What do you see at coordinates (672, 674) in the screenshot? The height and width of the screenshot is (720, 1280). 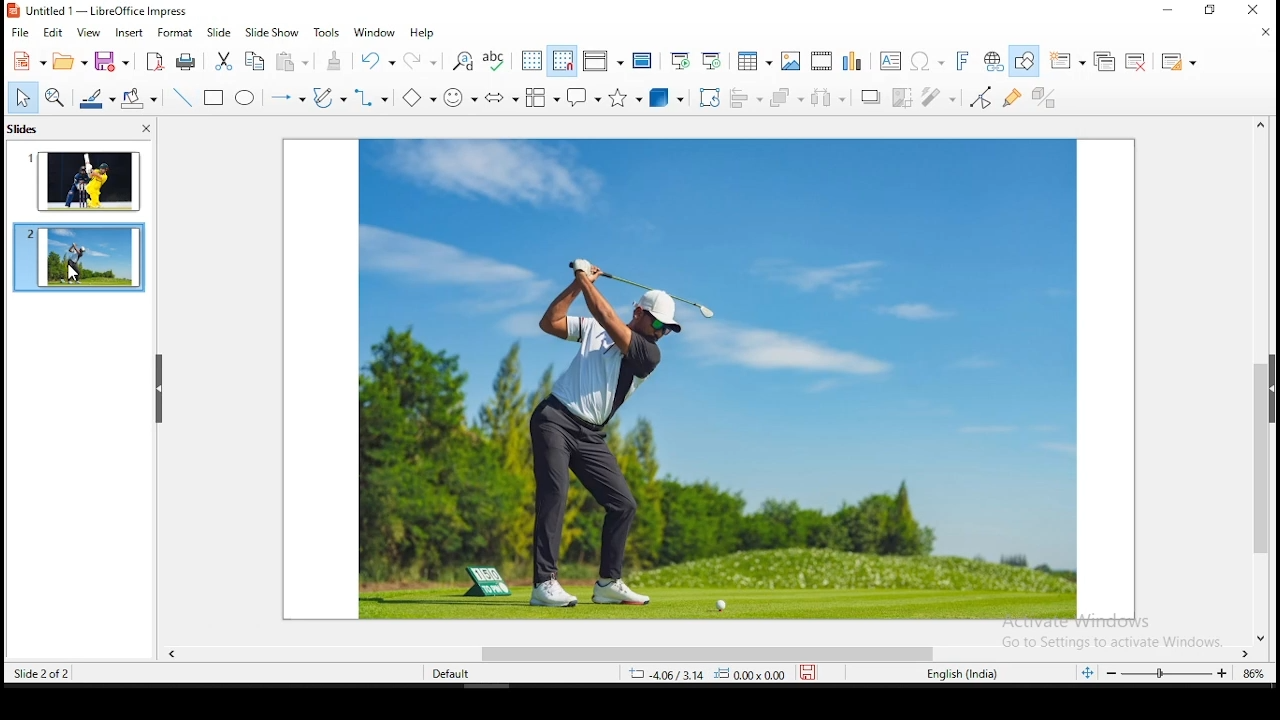 I see `4.06` at bounding box center [672, 674].